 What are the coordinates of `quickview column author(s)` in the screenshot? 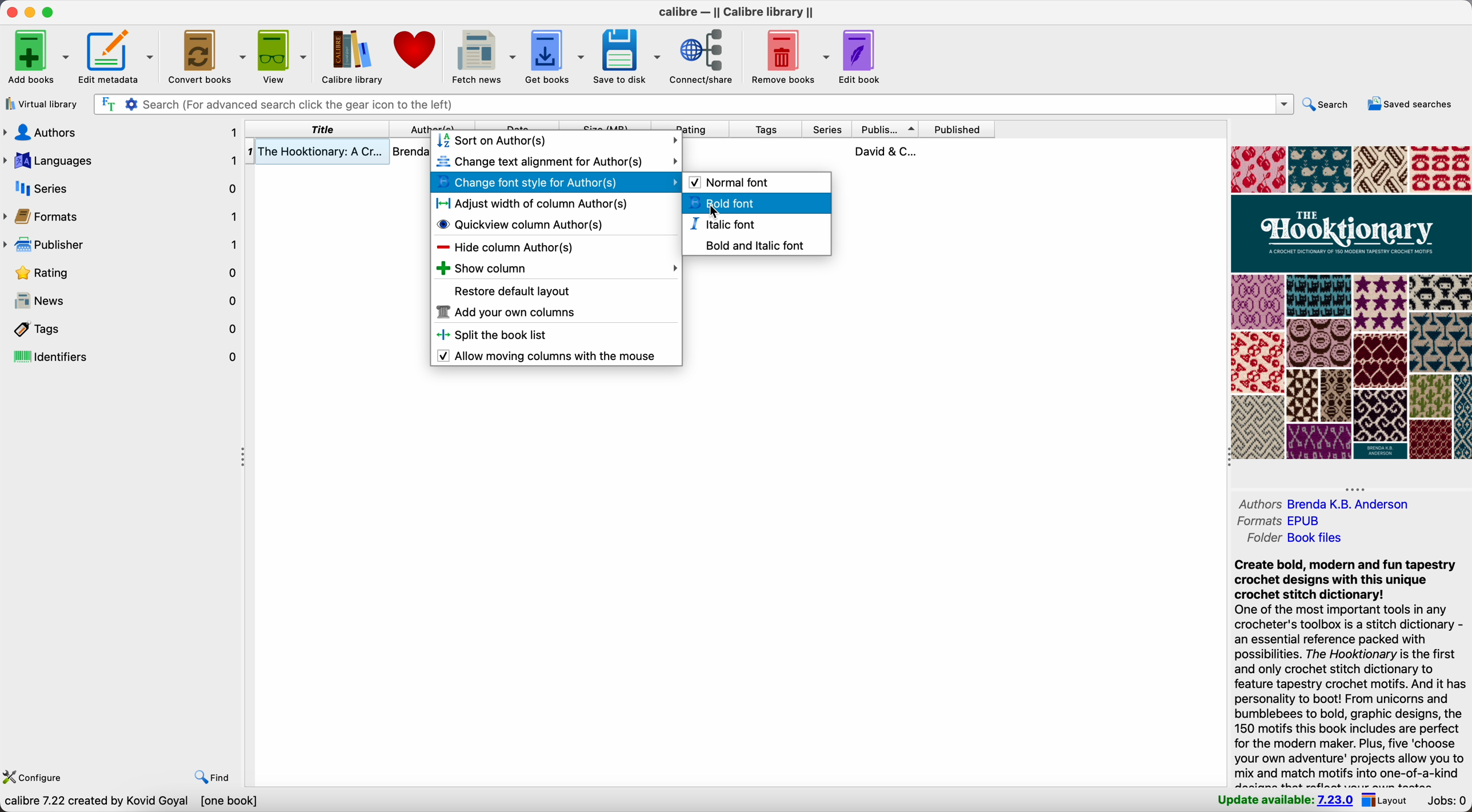 It's located at (523, 223).